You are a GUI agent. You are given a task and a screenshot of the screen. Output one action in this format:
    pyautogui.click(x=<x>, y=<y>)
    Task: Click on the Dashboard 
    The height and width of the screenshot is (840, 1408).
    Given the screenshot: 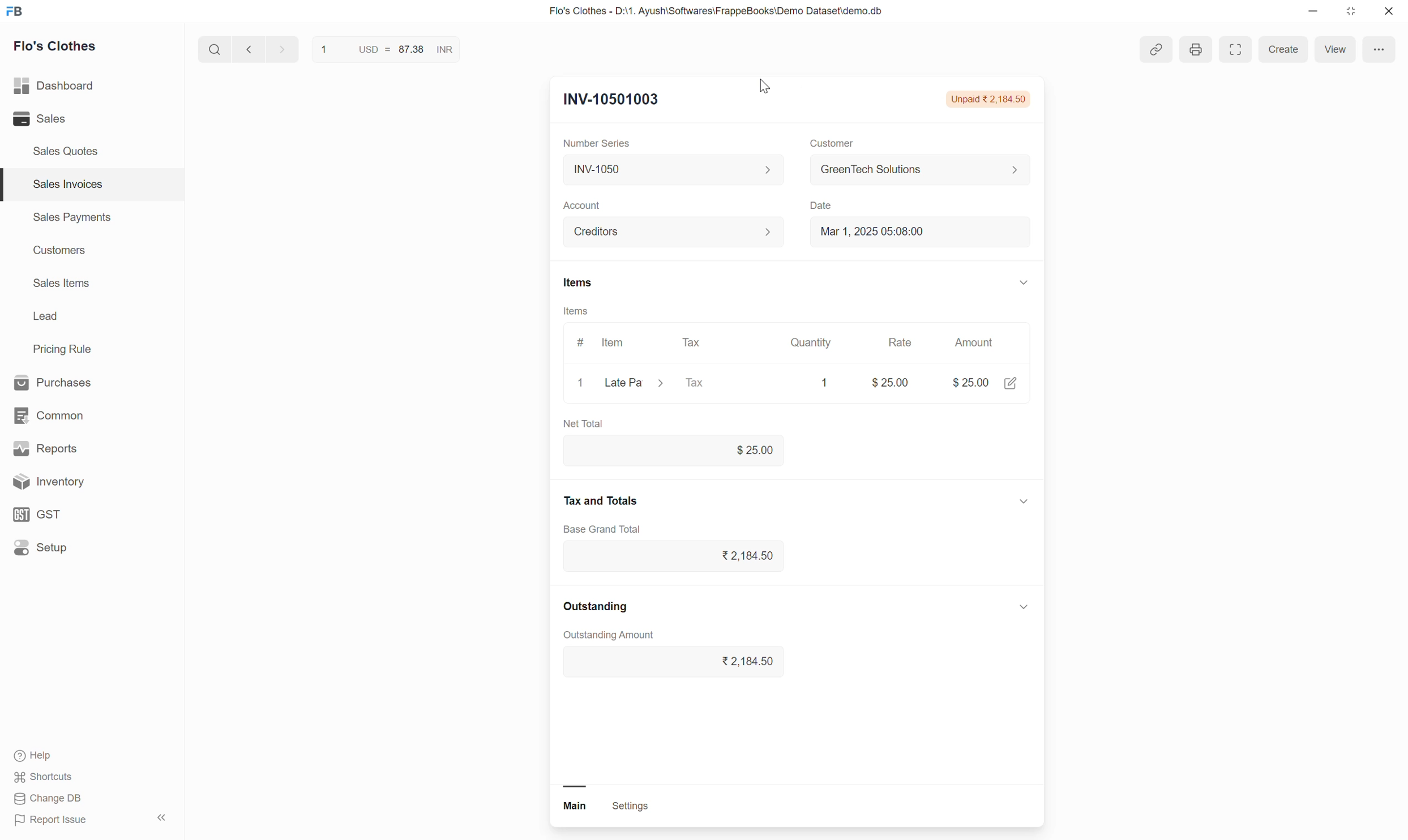 What is the action you would take?
    pyautogui.click(x=74, y=86)
    